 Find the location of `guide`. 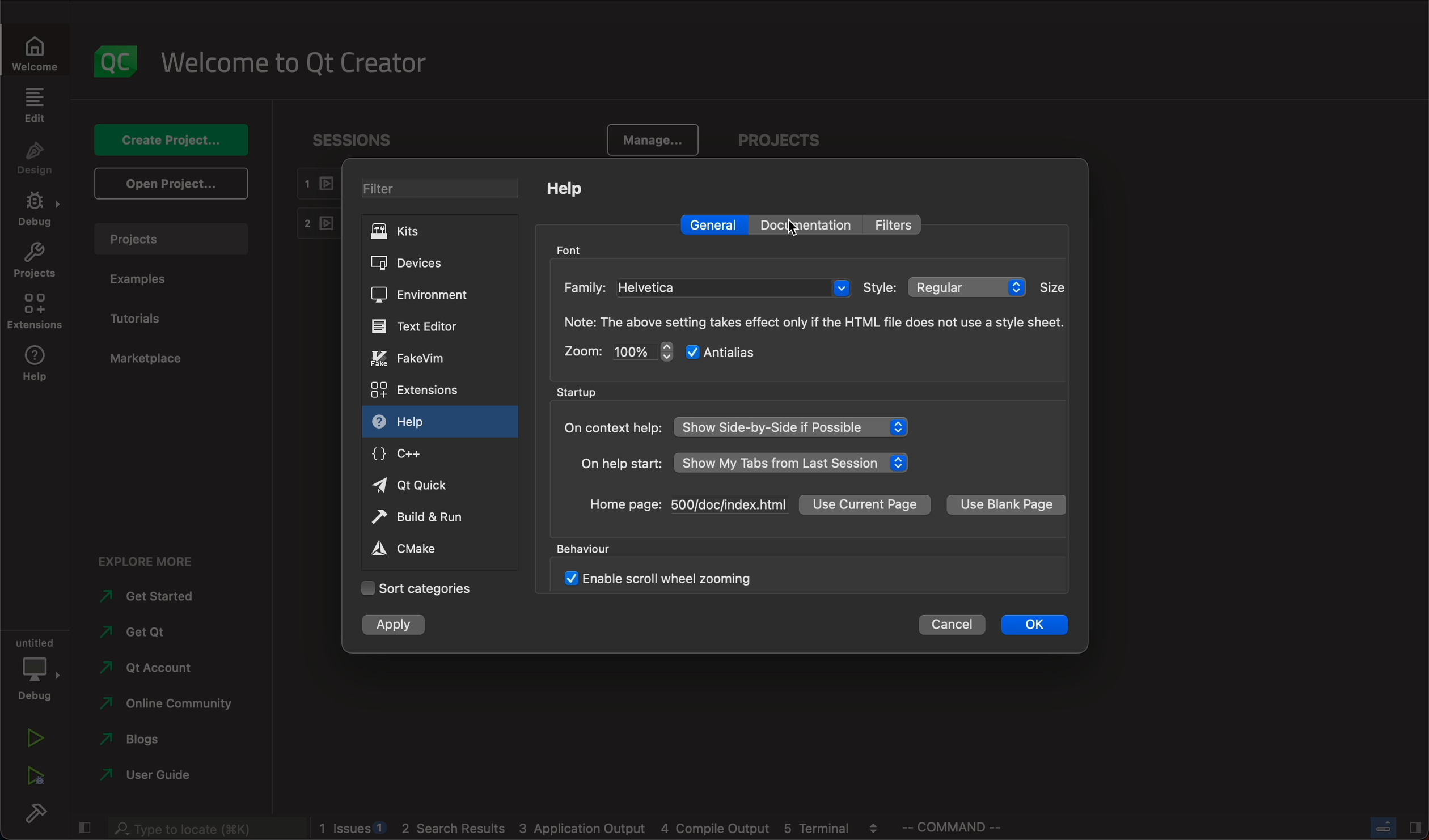

guide is located at coordinates (146, 775).